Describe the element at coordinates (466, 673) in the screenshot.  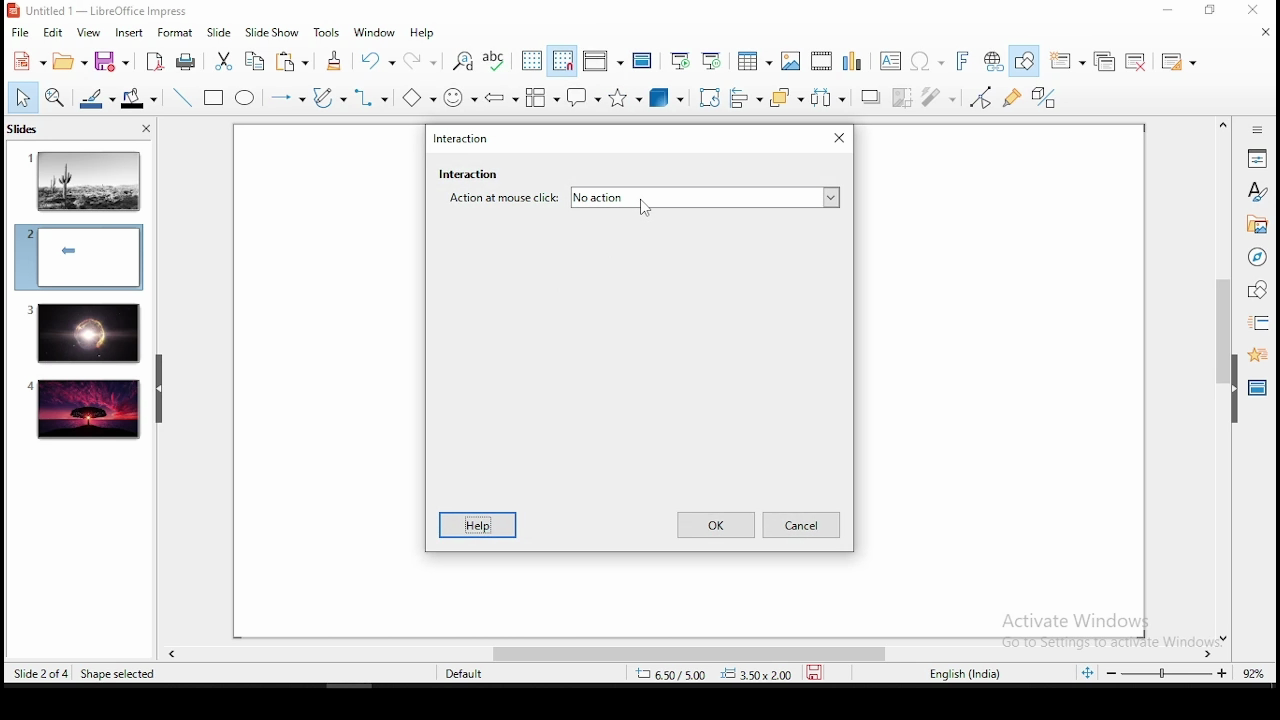
I see `default` at that location.